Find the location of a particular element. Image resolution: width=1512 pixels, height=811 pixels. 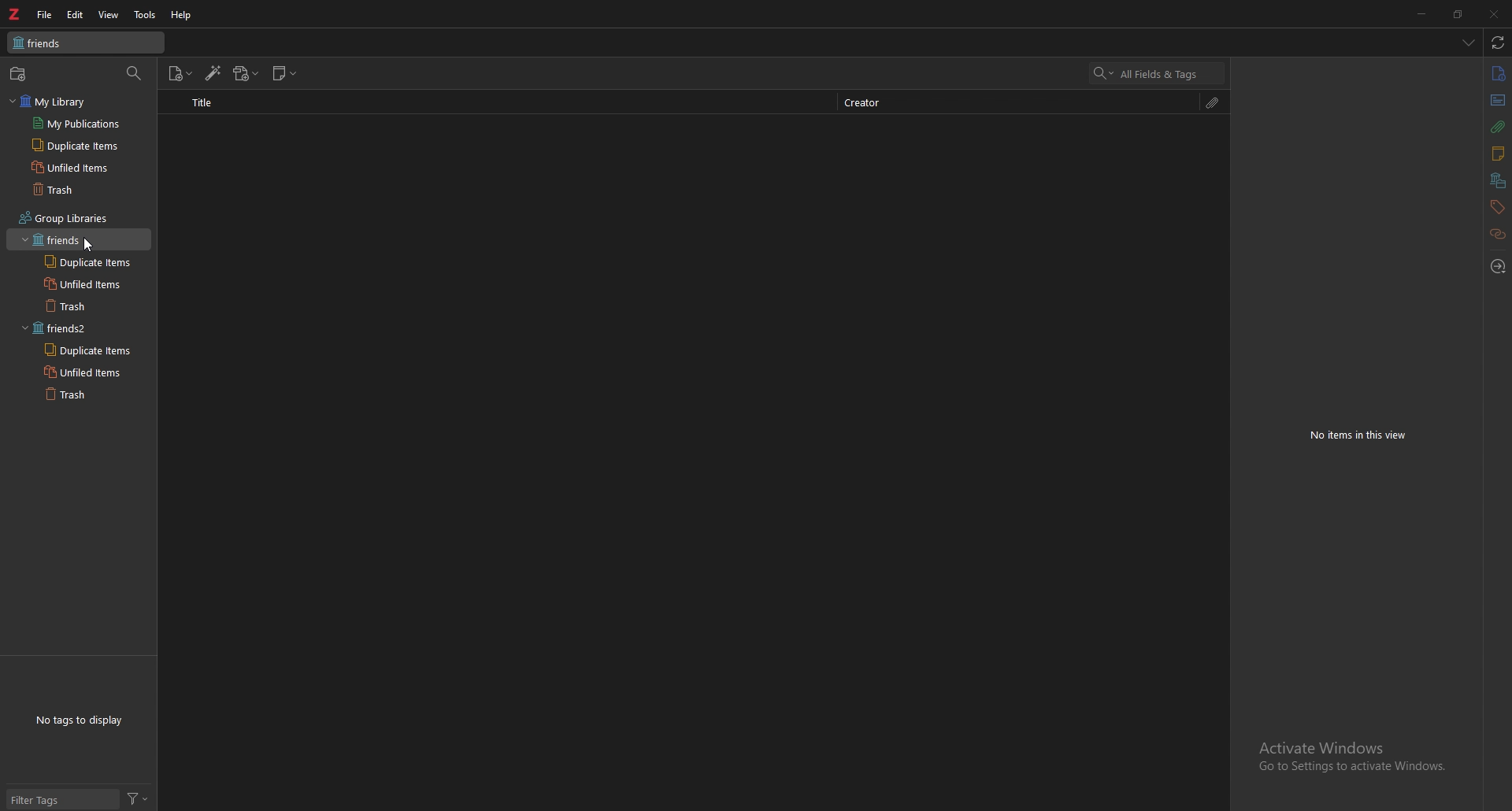

attachments is located at coordinates (1498, 128).